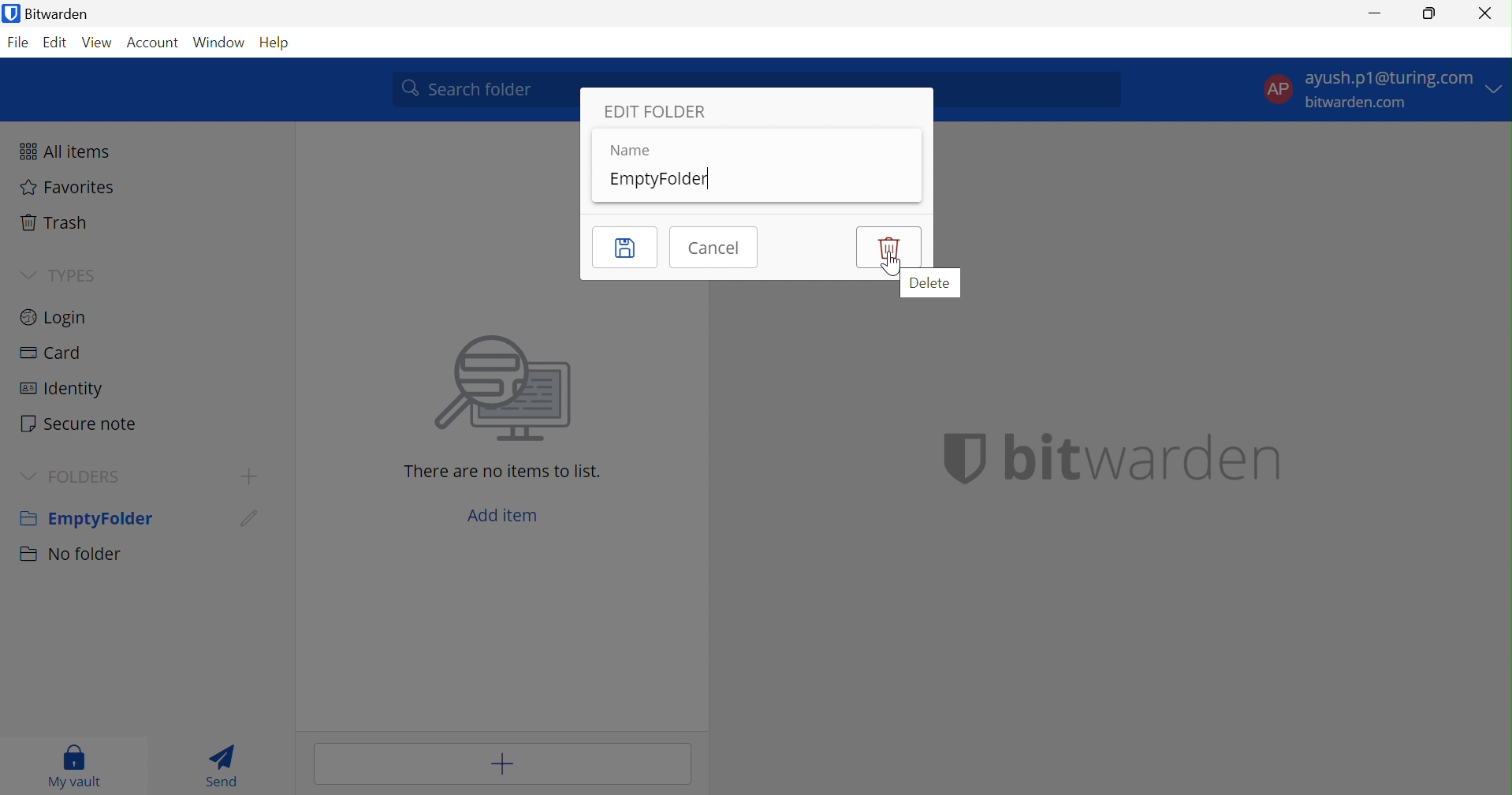 The height and width of the screenshot is (795, 1512). What do you see at coordinates (666, 181) in the screenshot?
I see `EmptyFolder` at bounding box center [666, 181].